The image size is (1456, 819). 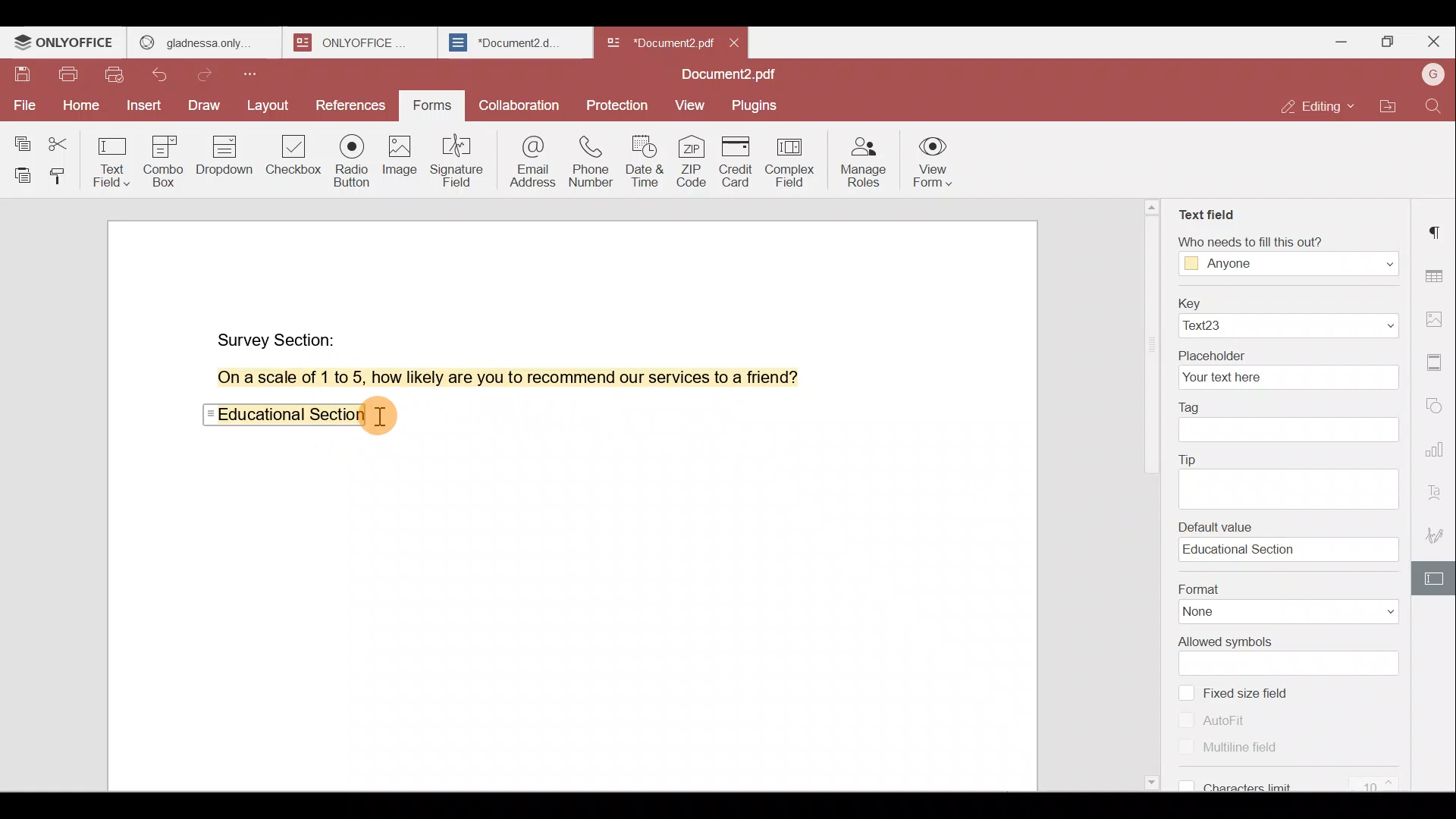 What do you see at coordinates (64, 140) in the screenshot?
I see `Cut` at bounding box center [64, 140].